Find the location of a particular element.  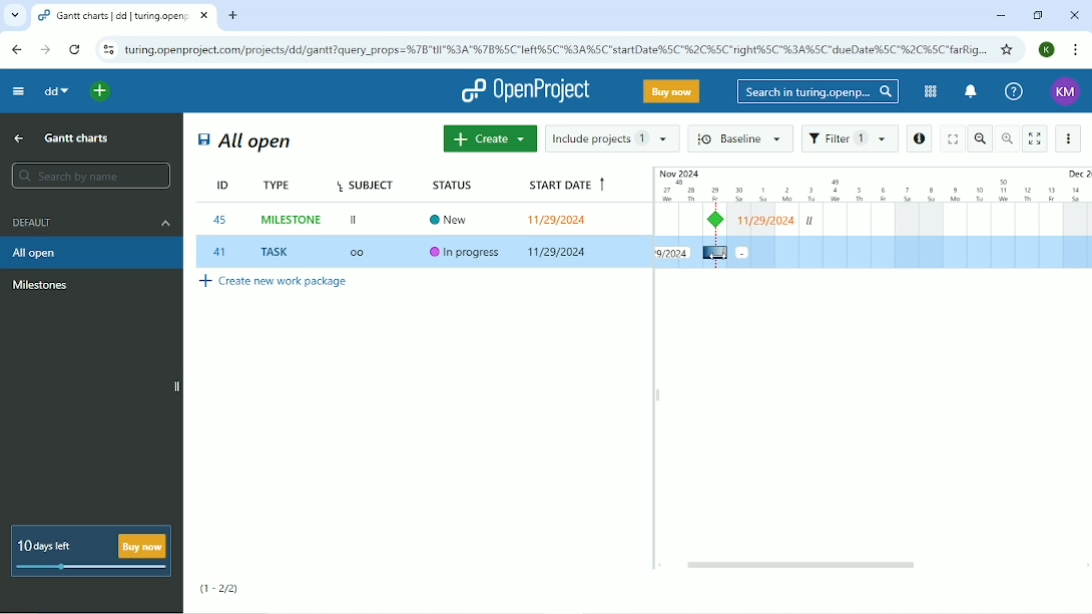

Up is located at coordinates (18, 140).